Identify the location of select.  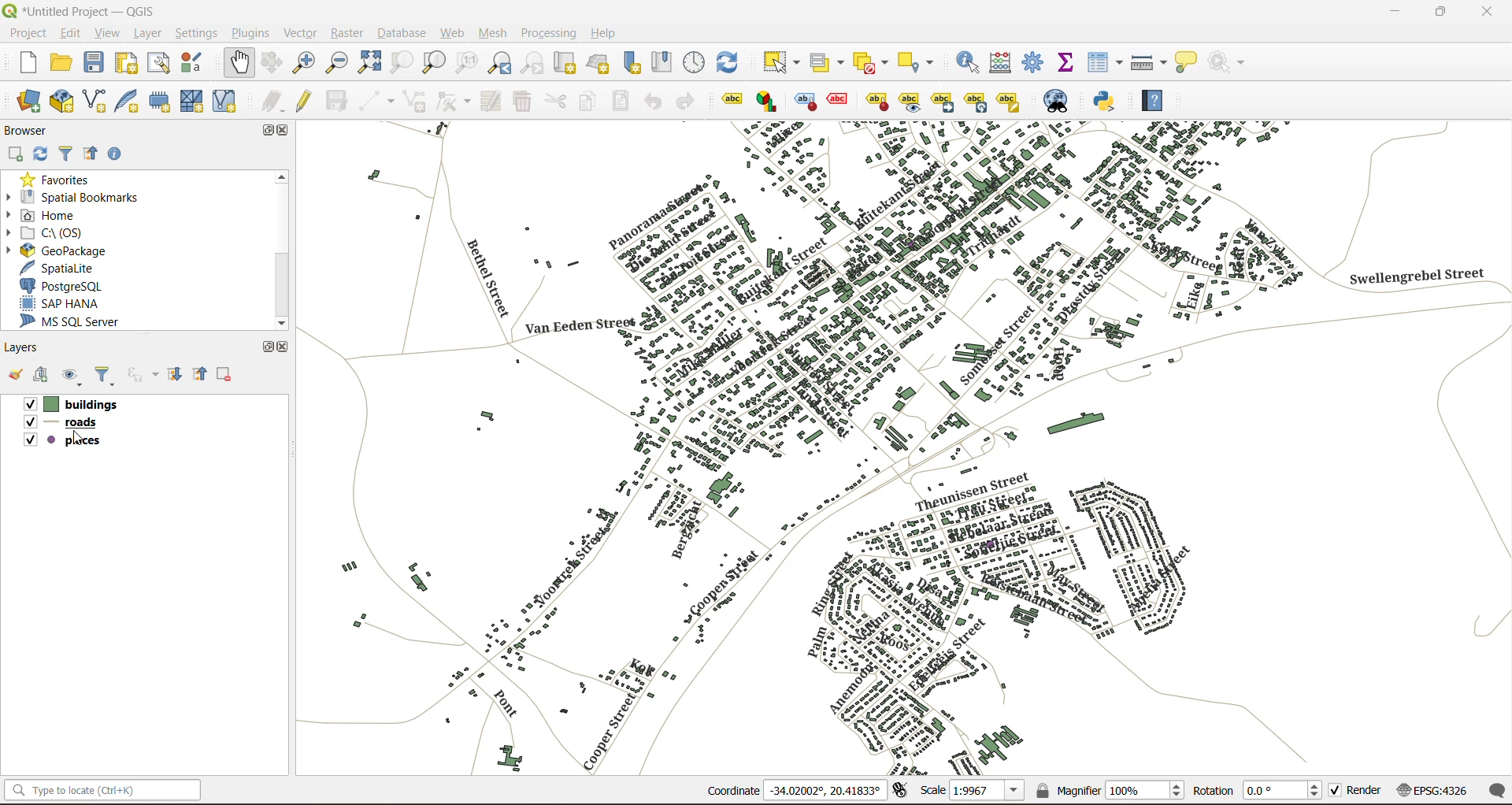
(784, 62).